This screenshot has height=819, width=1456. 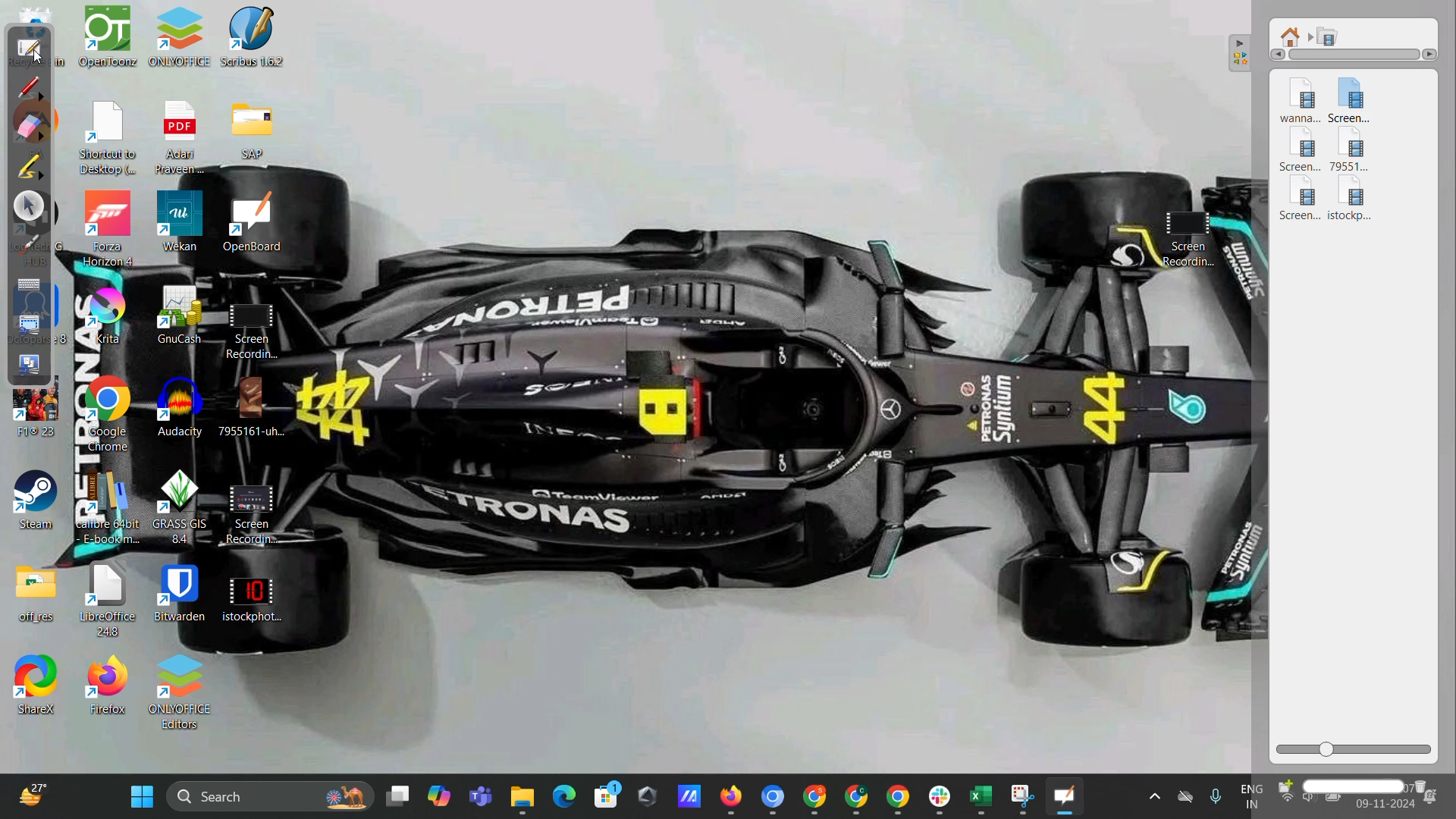 I want to click on Left arrow, so click(x=1433, y=52).